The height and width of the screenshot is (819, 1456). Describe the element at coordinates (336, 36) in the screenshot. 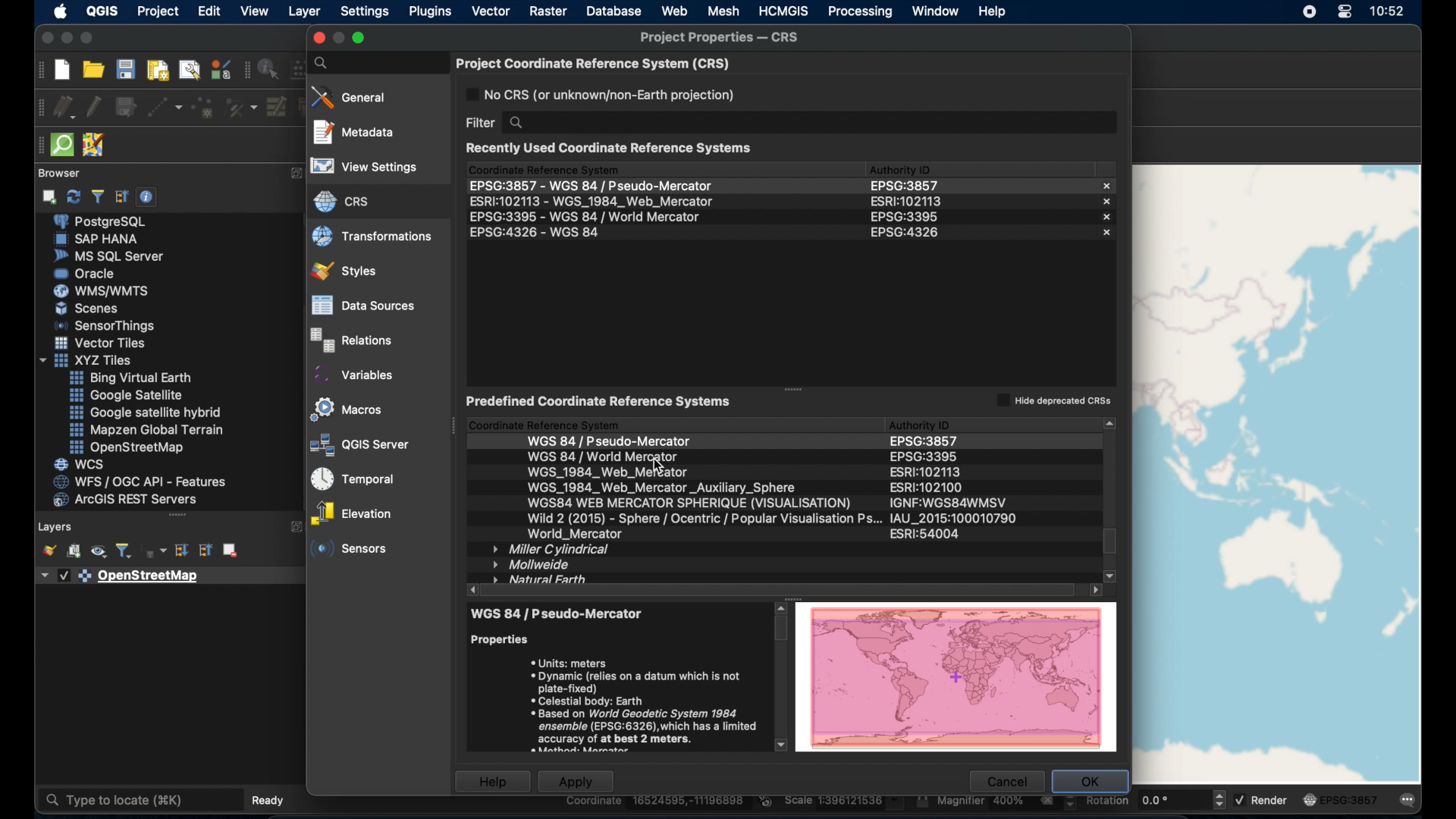

I see `inactive minimize button ` at that location.